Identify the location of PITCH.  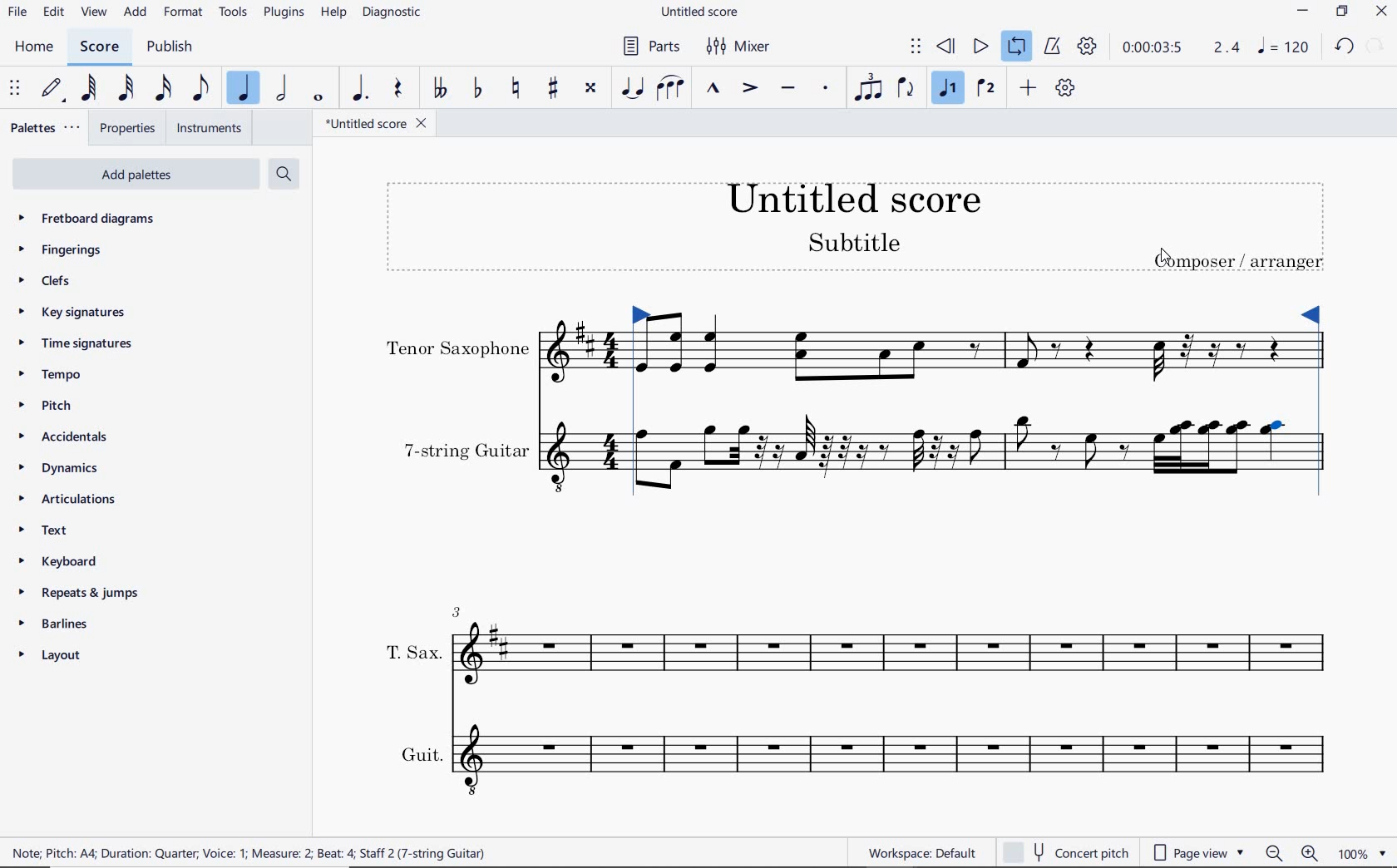
(43, 406).